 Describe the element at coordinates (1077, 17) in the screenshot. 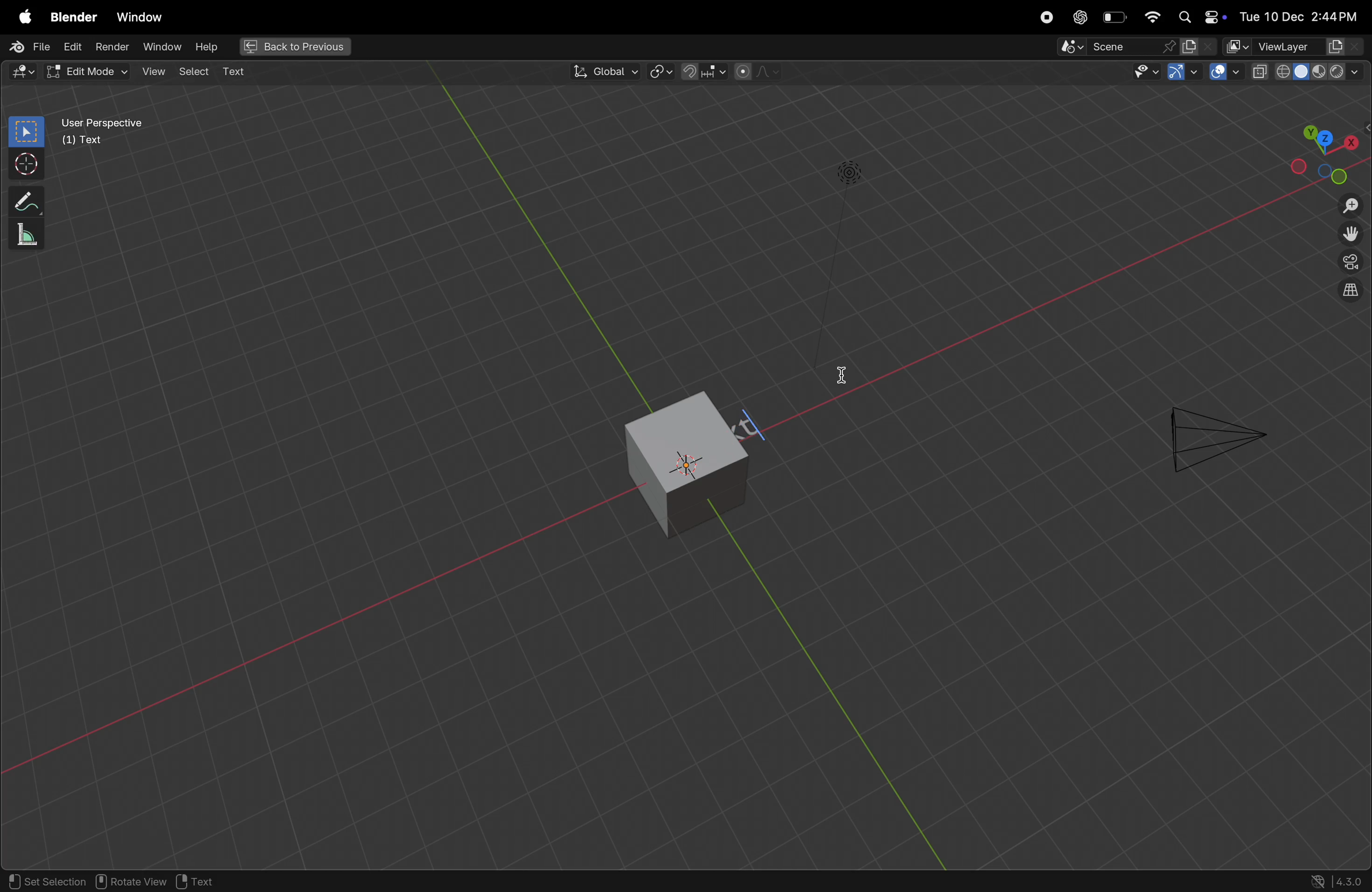

I see `chatgpt` at that location.